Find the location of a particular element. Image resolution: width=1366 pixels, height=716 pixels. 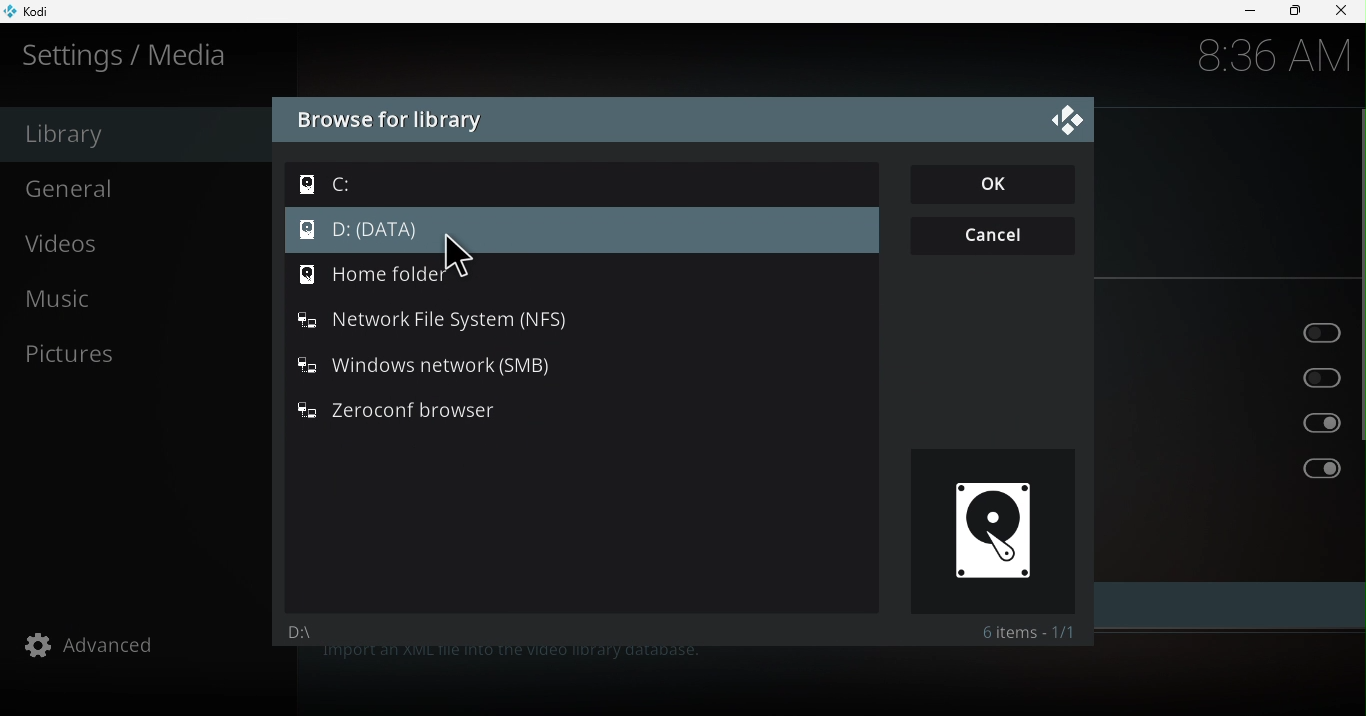

Ignore different video versions on scan is located at coordinates (1233, 423).